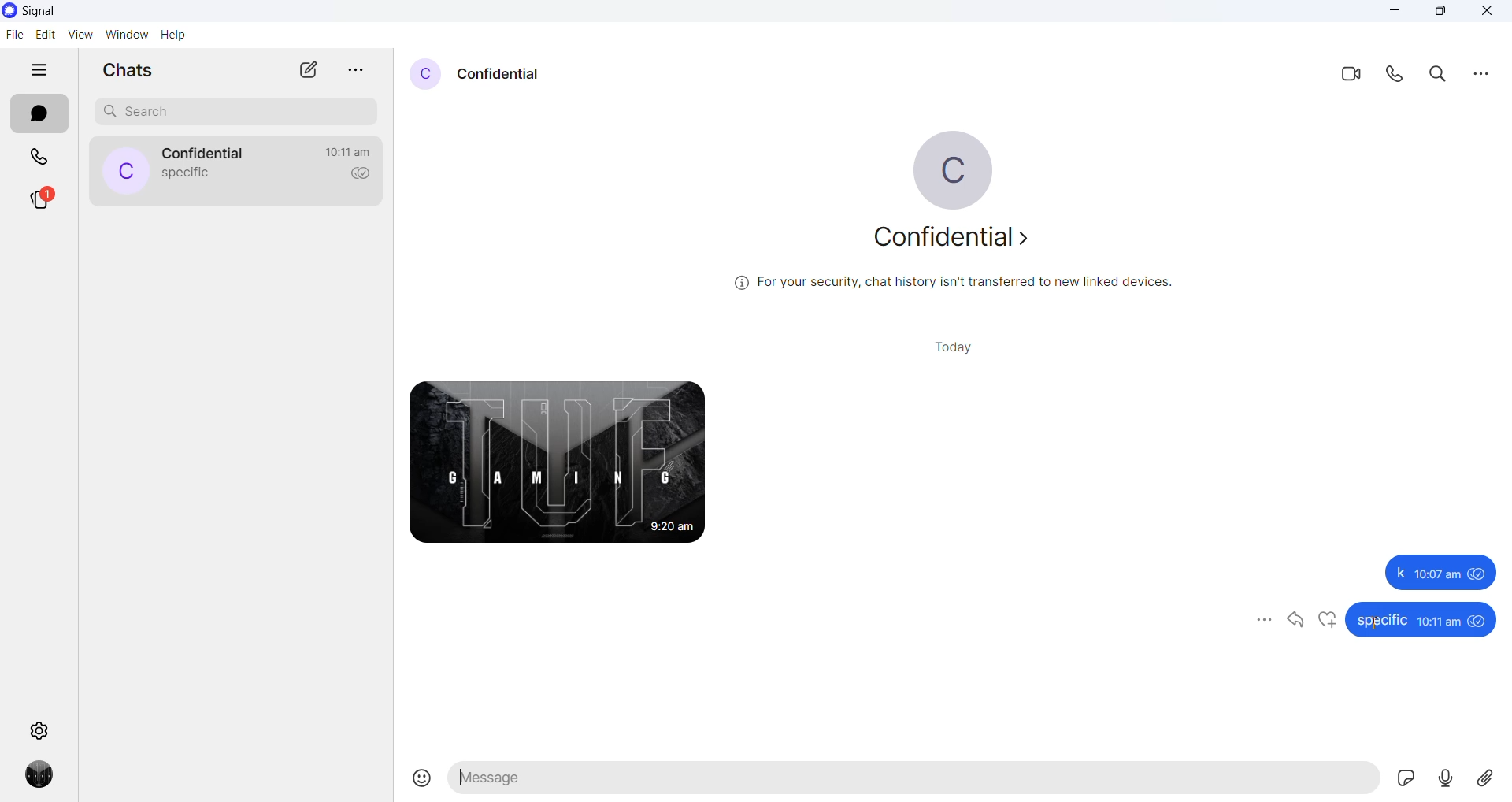  Describe the element at coordinates (1442, 75) in the screenshot. I see `search in chats` at that location.